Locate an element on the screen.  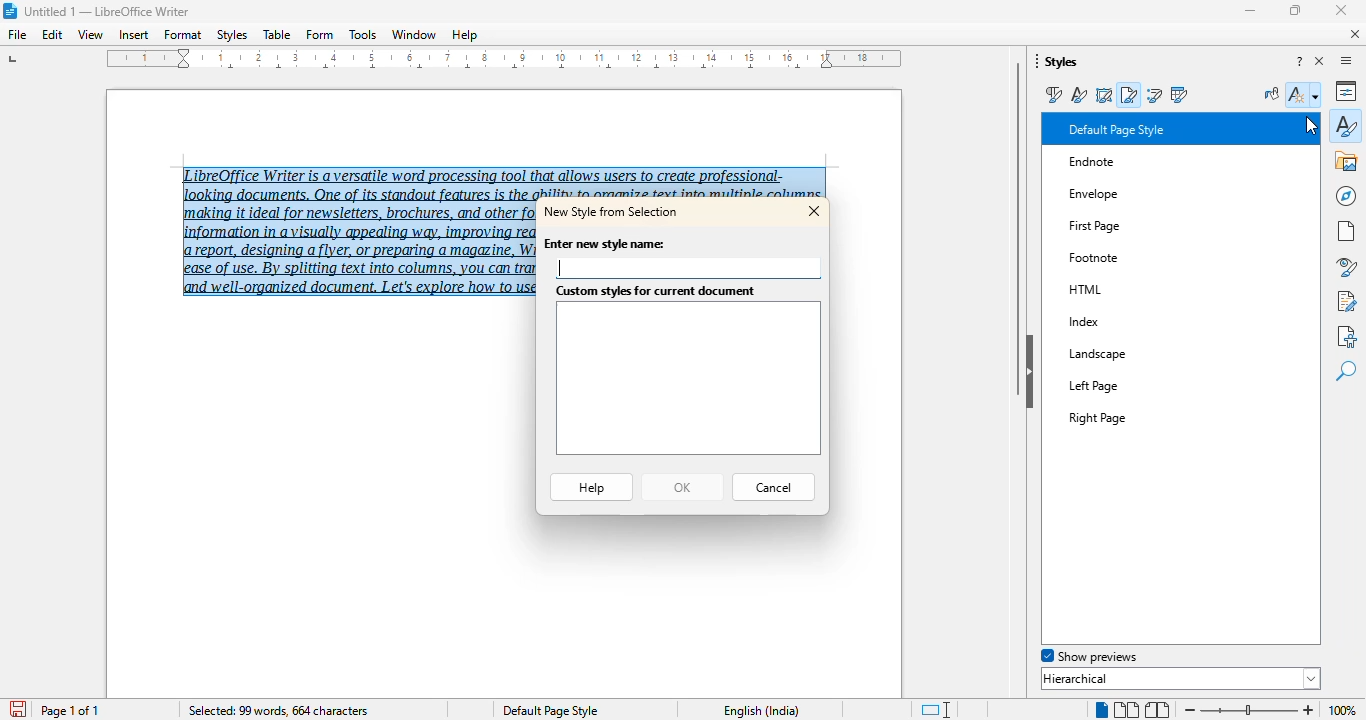
page is located at coordinates (1346, 231).